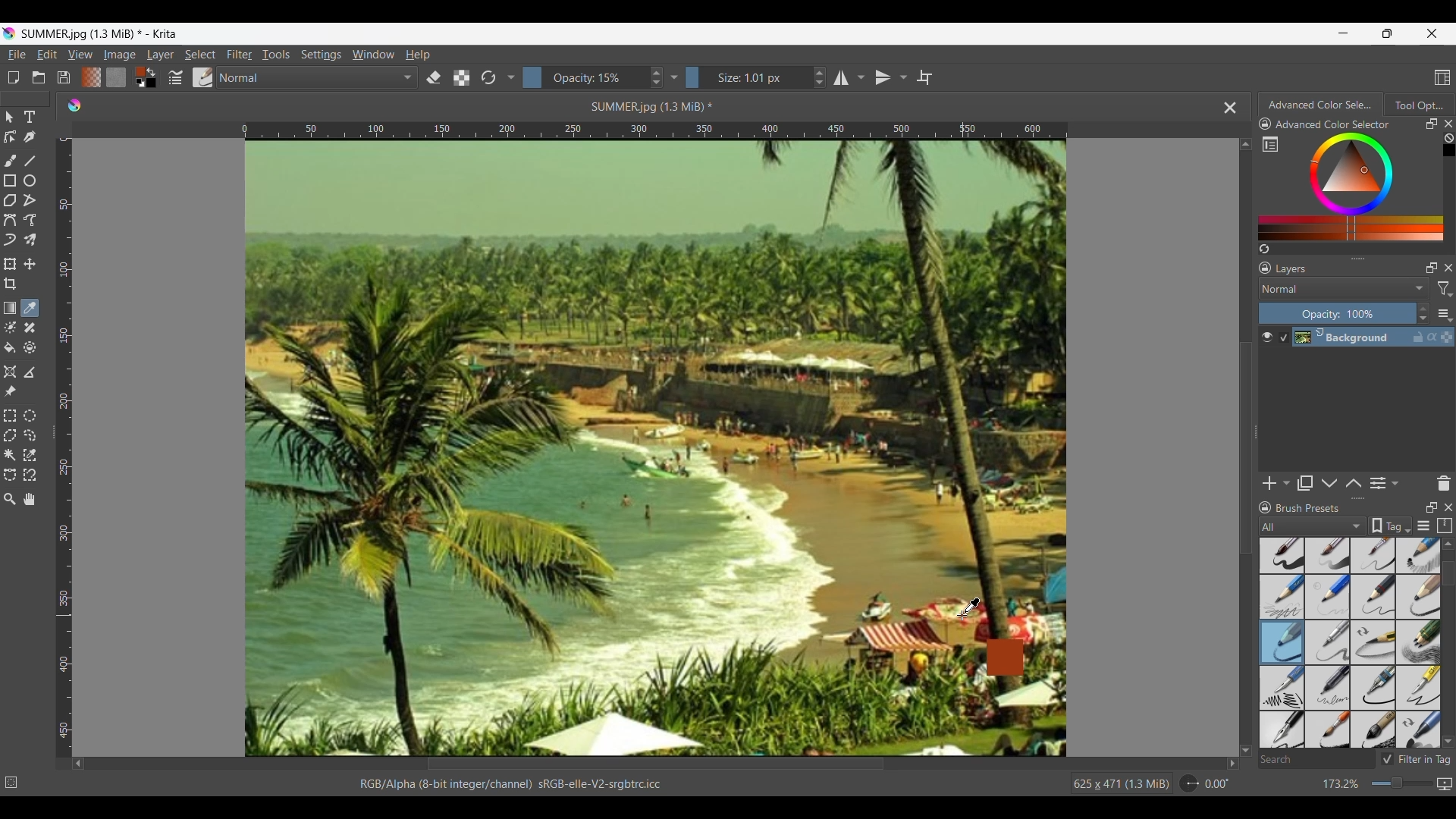 Image resolution: width=1456 pixels, height=819 pixels. What do you see at coordinates (1292, 269) in the screenshot?
I see `Layers` at bounding box center [1292, 269].